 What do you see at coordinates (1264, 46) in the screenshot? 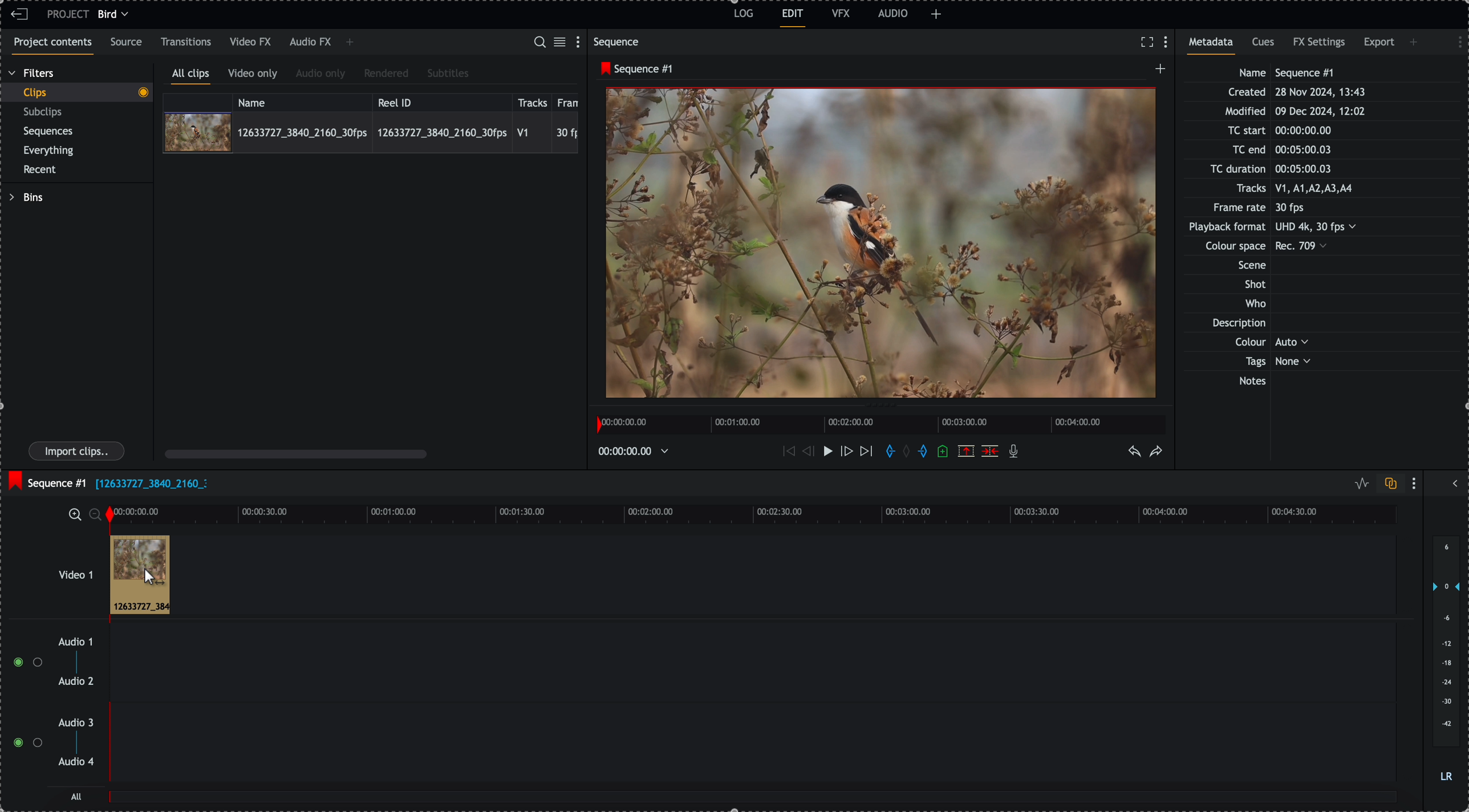
I see `cues` at bounding box center [1264, 46].